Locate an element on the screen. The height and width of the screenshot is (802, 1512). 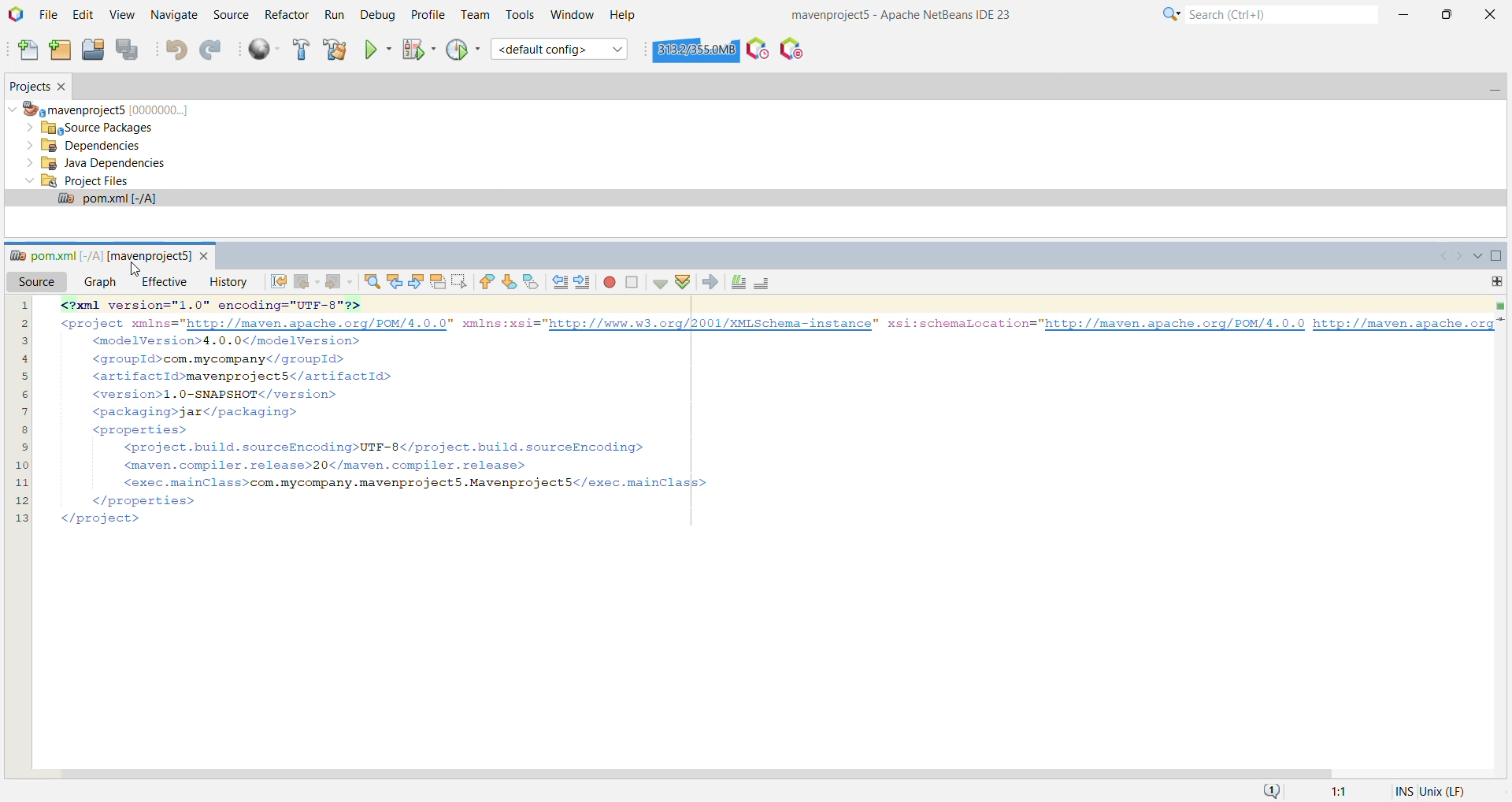
Profile the IDE is located at coordinates (758, 48).